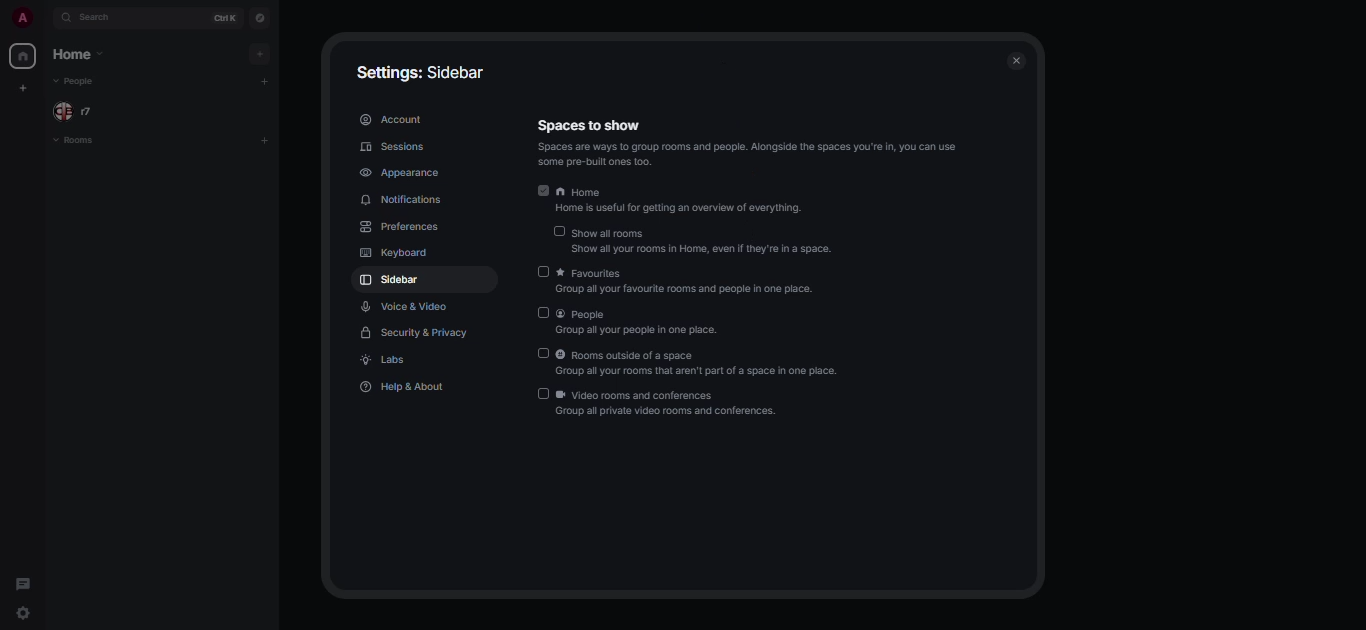 The image size is (1366, 630). Describe the element at coordinates (21, 19) in the screenshot. I see `profile` at that location.